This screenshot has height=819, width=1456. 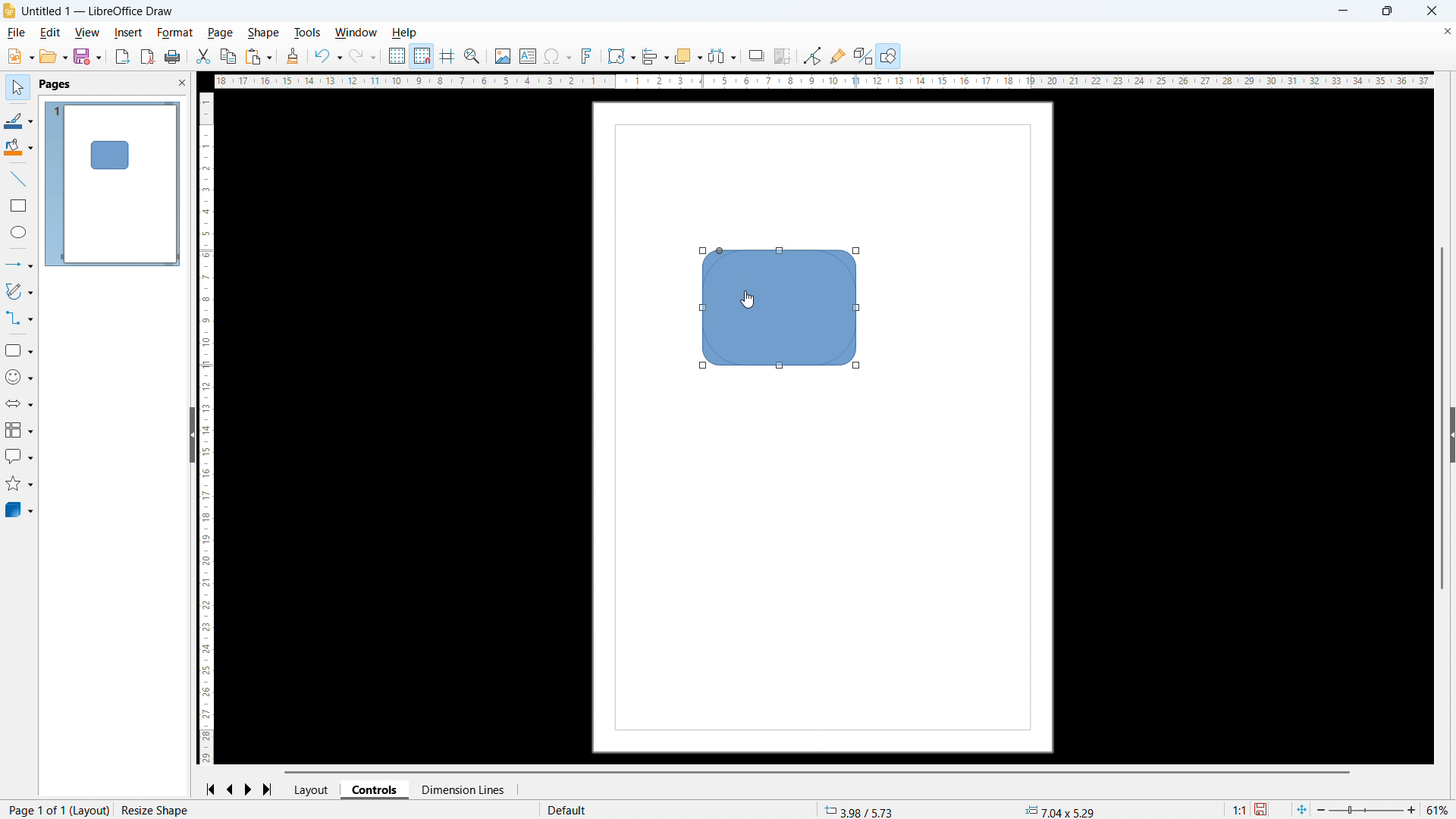 What do you see at coordinates (16, 88) in the screenshot?
I see `select ` at bounding box center [16, 88].